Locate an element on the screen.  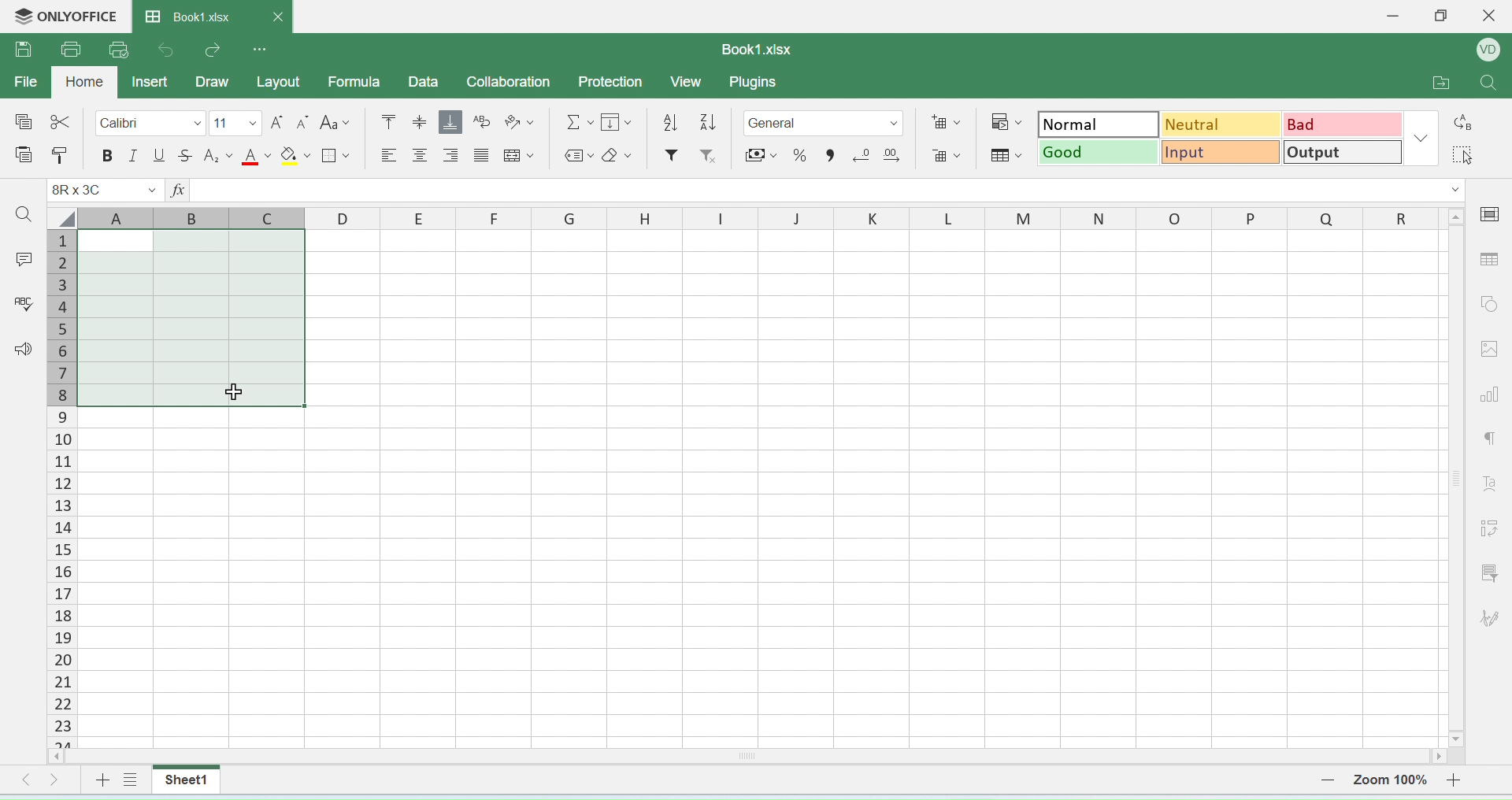
signature is located at coordinates (1492, 621).